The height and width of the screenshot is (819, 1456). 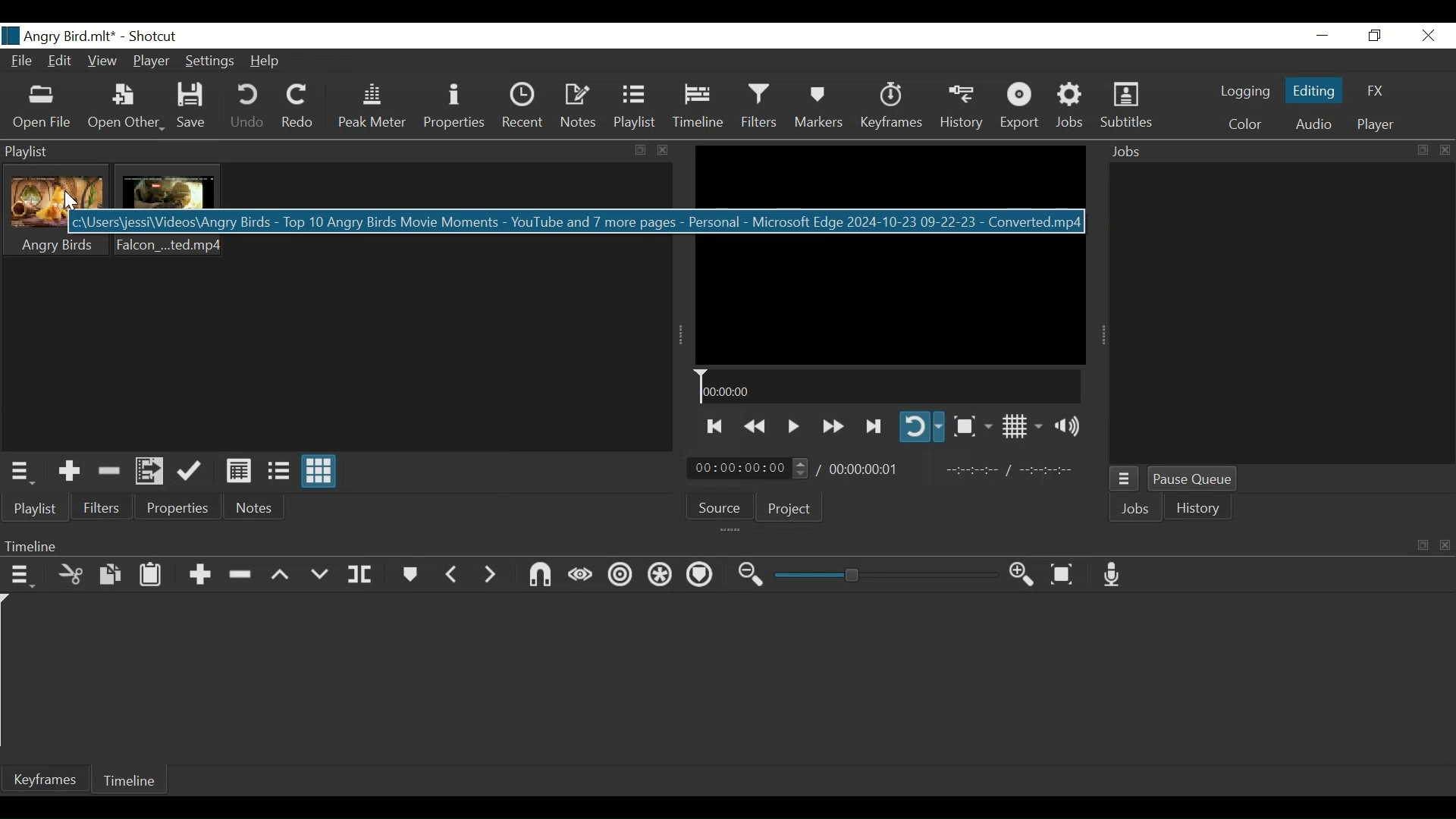 What do you see at coordinates (320, 472) in the screenshot?
I see `View as icons` at bounding box center [320, 472].